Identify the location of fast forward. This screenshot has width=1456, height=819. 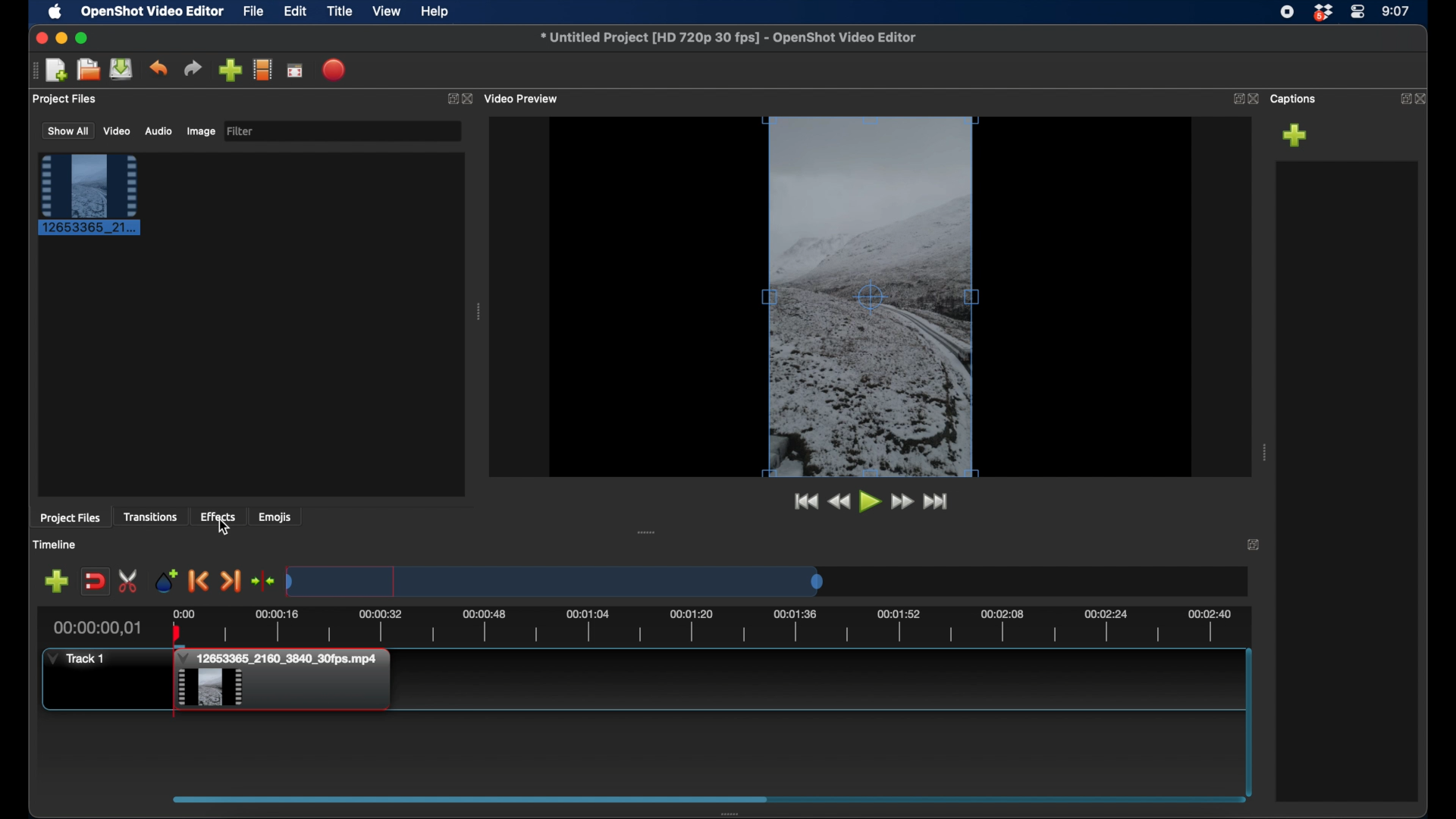
(937, 501).